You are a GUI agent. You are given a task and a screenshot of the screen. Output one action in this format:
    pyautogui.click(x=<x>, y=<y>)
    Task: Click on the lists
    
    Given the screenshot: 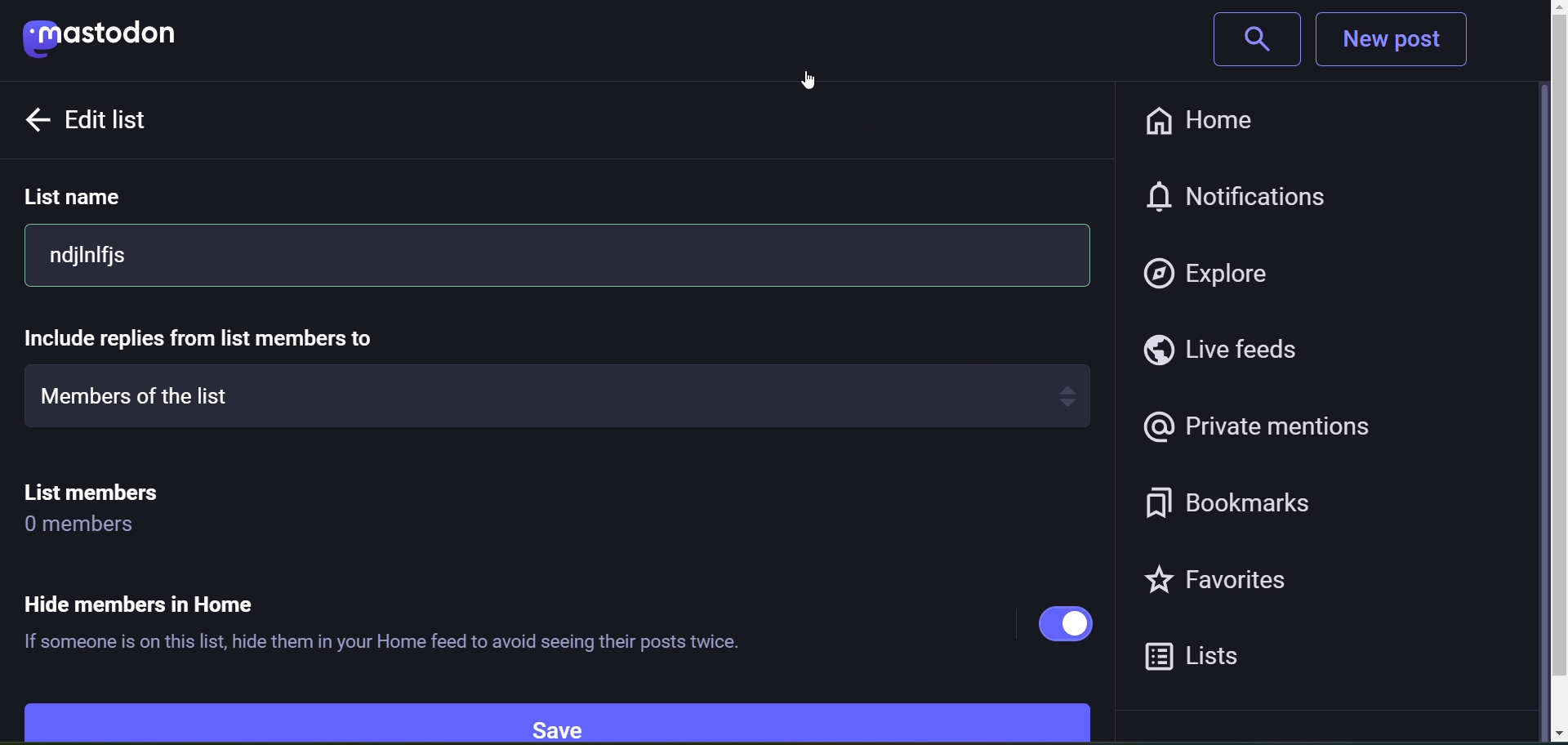 What is the action you would take?
    pyautogui.click(x=1214, y=658)
    